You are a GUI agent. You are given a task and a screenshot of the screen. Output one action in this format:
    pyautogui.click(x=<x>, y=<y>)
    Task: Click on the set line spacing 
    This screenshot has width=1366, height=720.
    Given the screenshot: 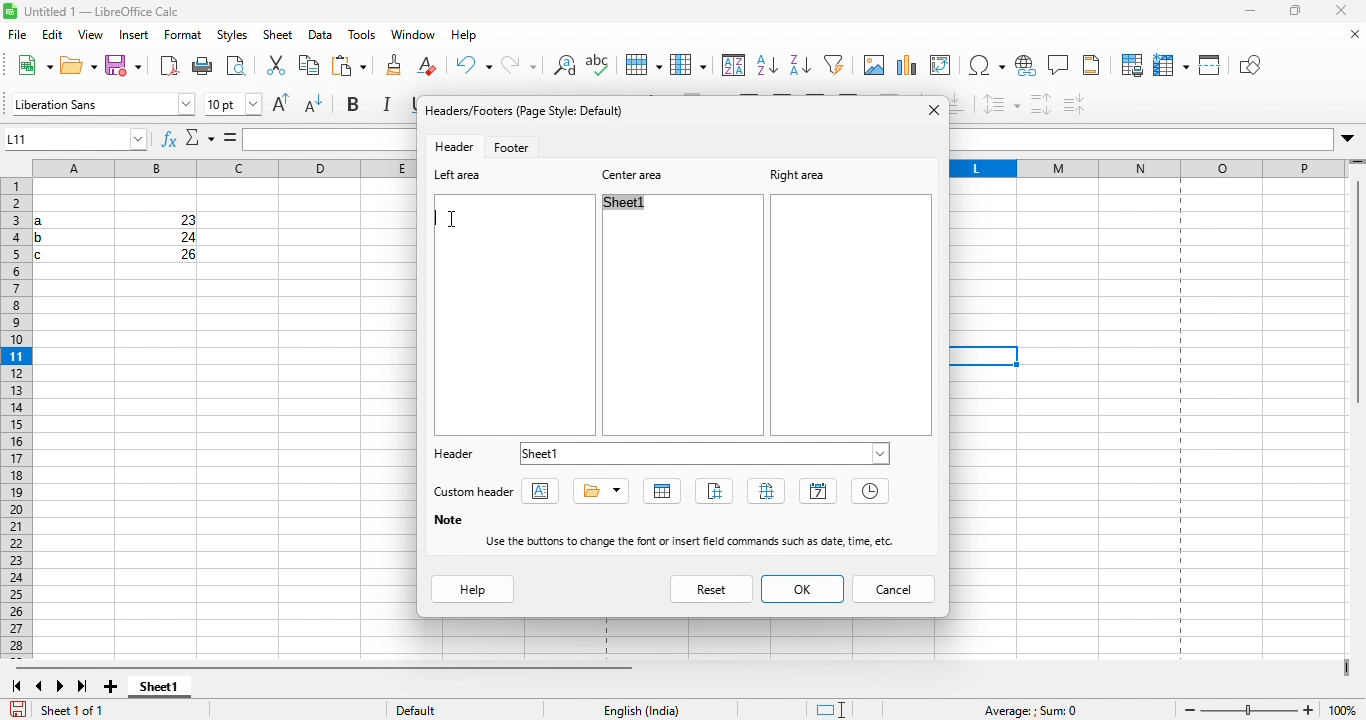 What is the action you would take?
    pyautogui.click(x=1002, y=105)
    